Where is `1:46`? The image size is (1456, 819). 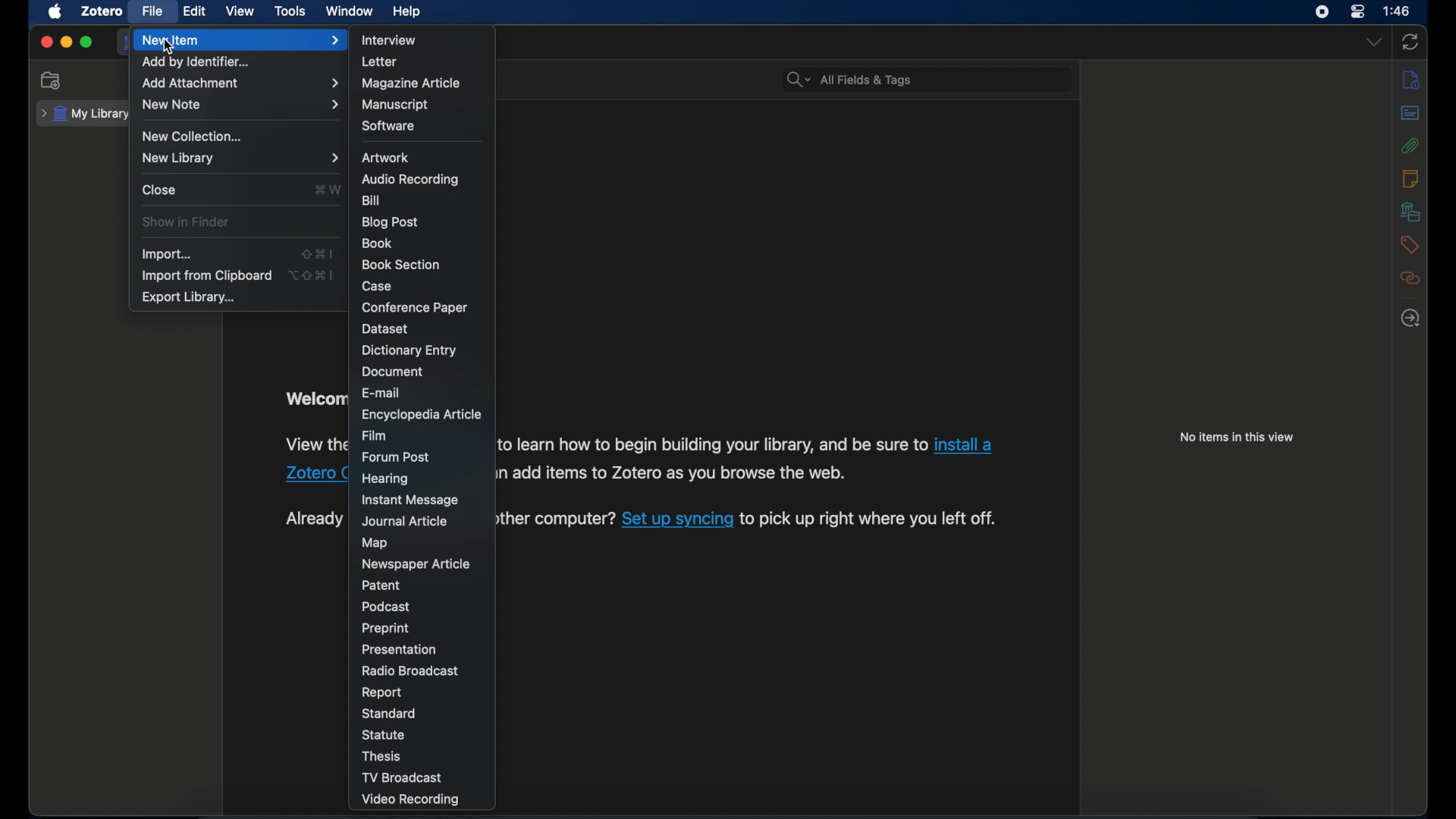
1:46 is located at coordinates (1398, 11).